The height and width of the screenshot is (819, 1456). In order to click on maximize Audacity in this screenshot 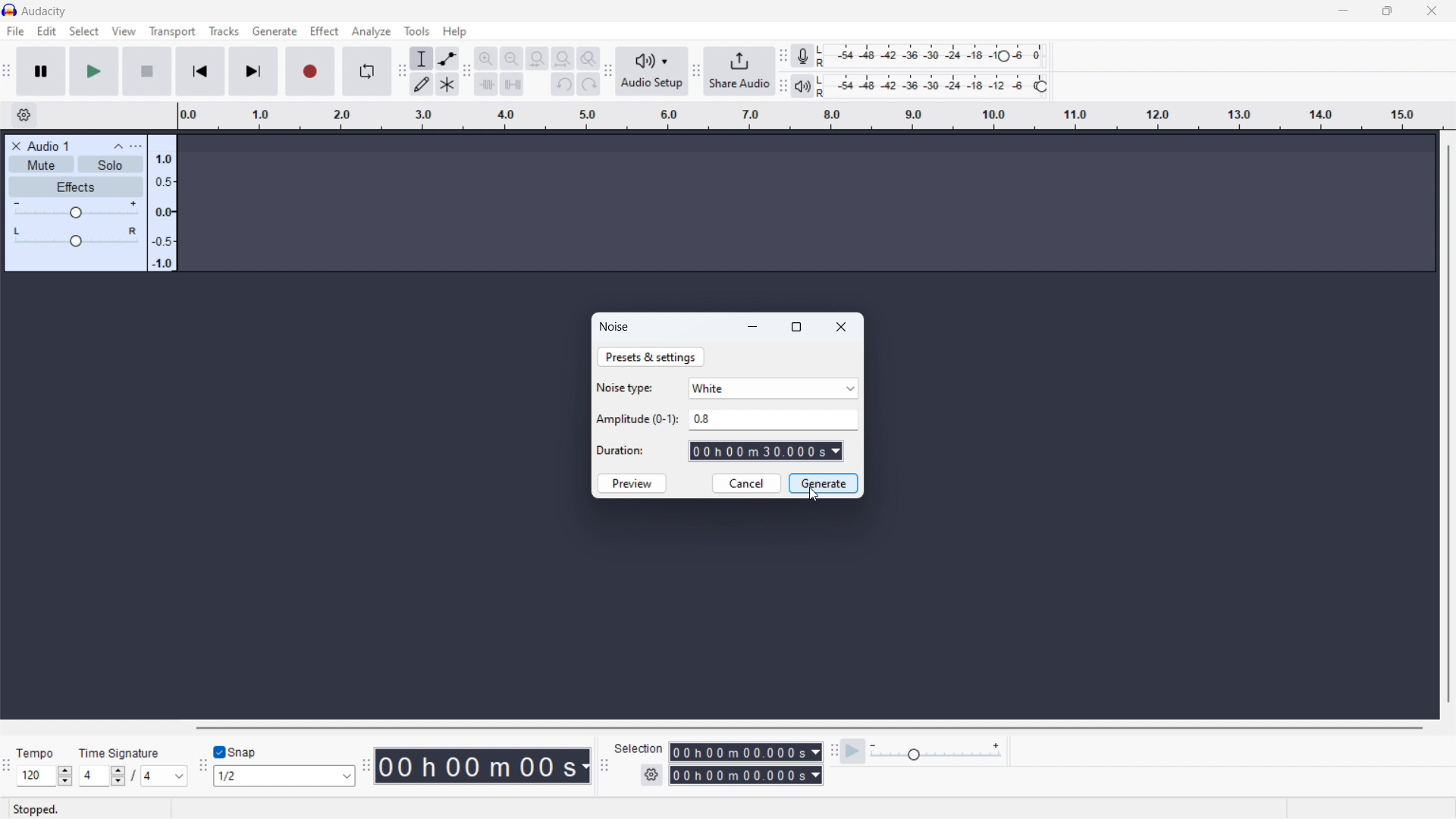, I will do `click(1387, 11)`.